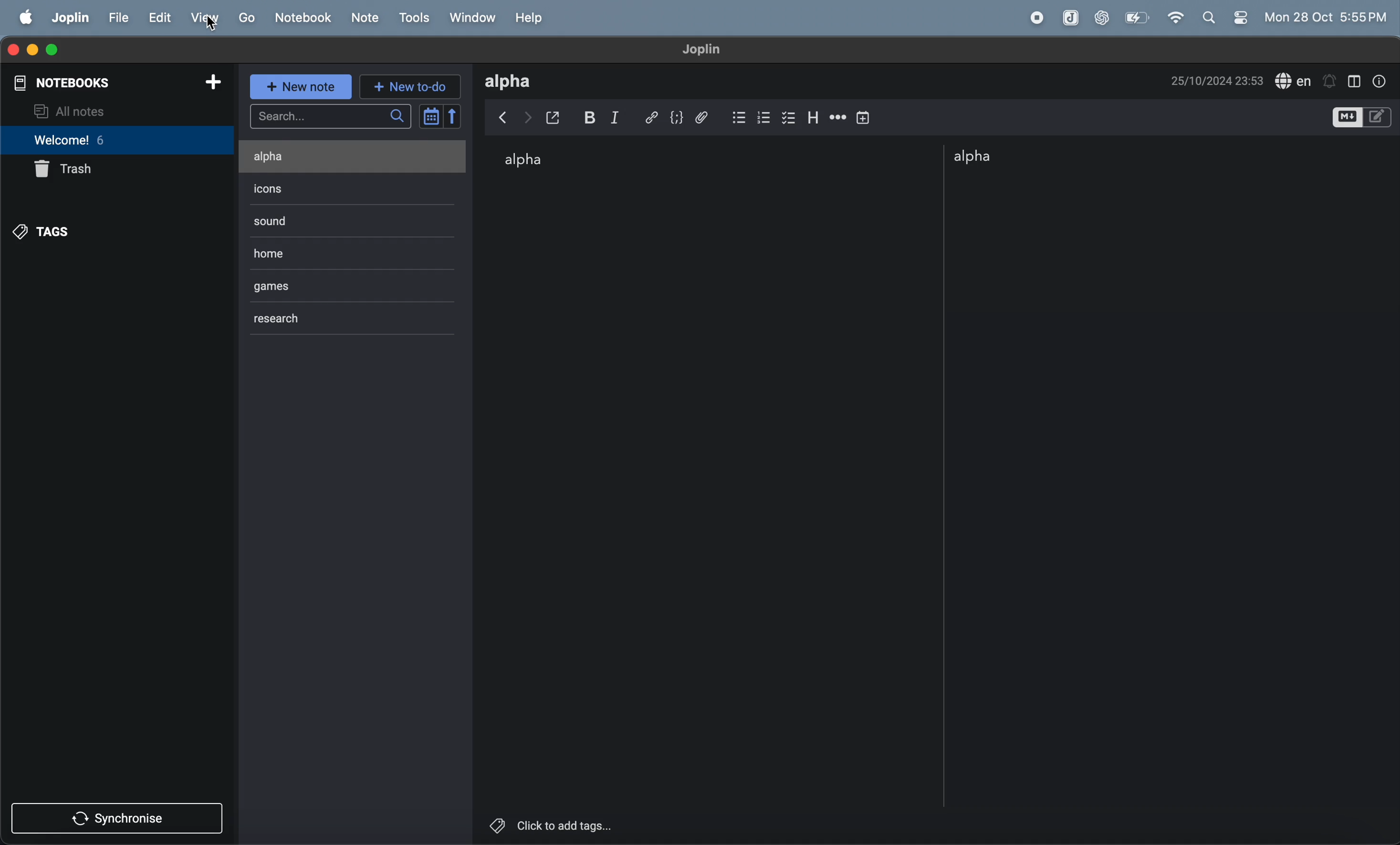 Image resolution: width=1400 pixels, height=845 pixels. I want to click on minimize, so click(33, 49).